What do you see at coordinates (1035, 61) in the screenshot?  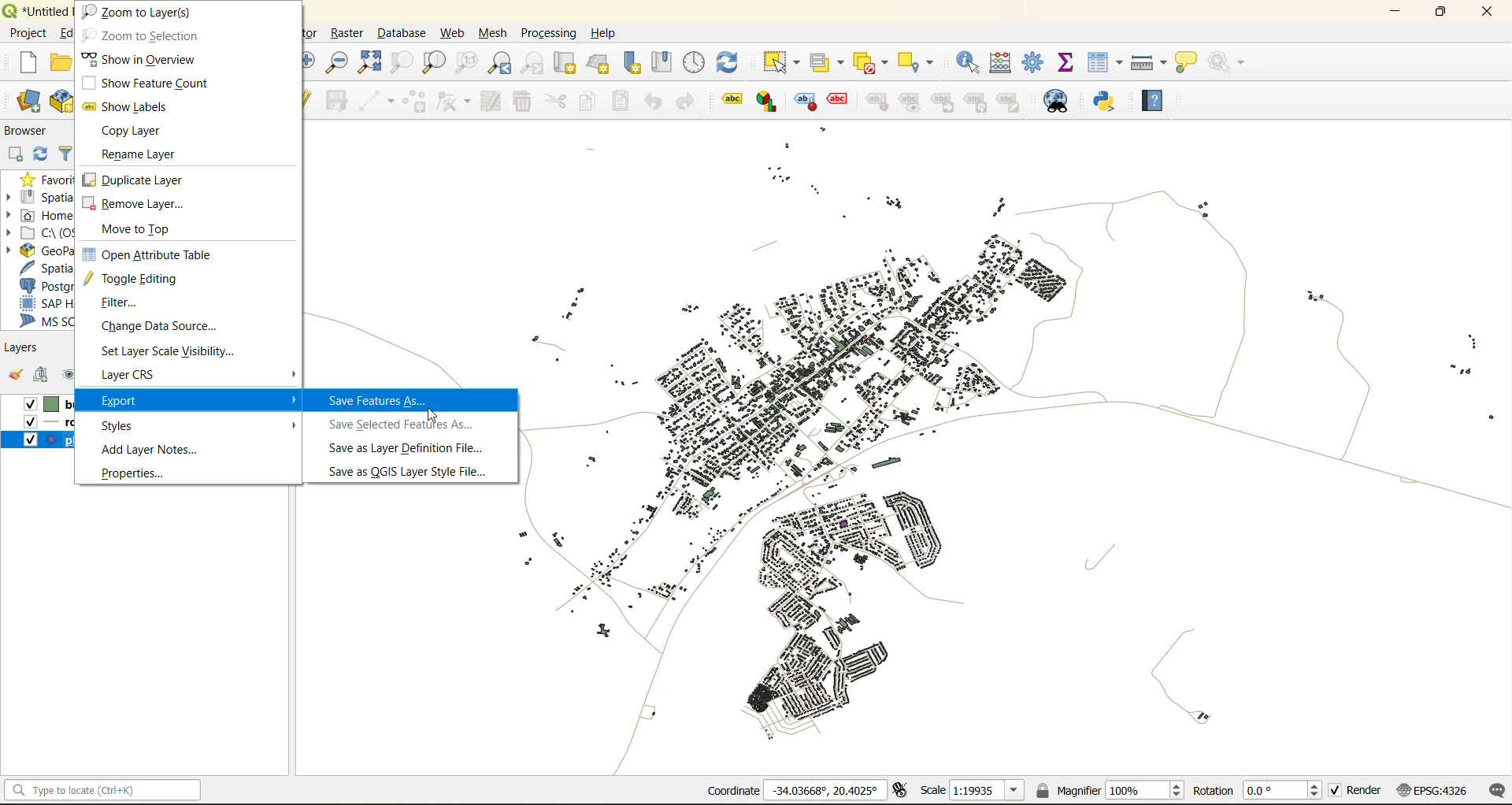 I see `toolbox` at bounding box center [1035, 61].